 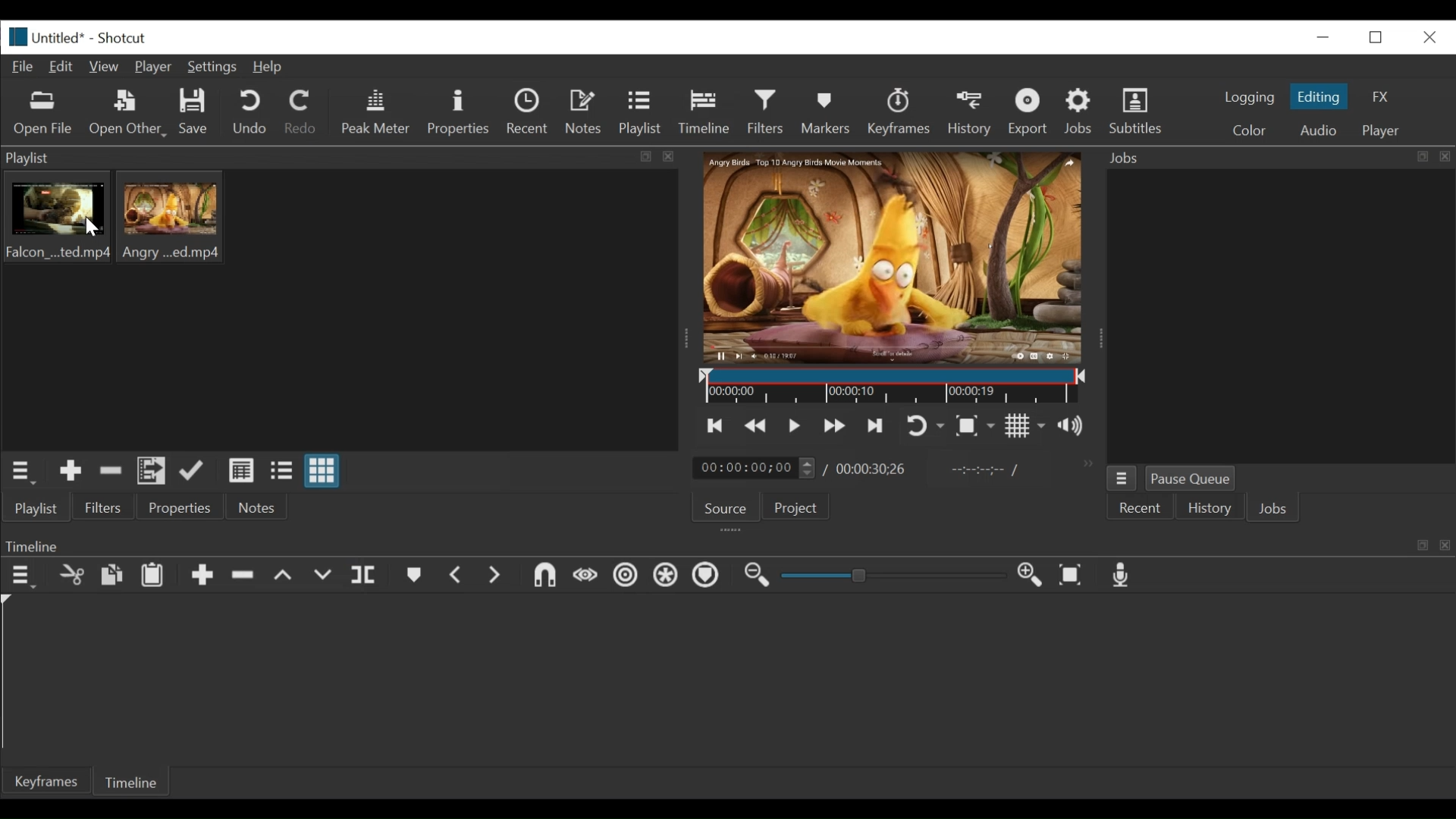 What do you see at coordinates (1122, 476) in the screenshot?
I see `jobs menu` at bounding box center [1122, 476].